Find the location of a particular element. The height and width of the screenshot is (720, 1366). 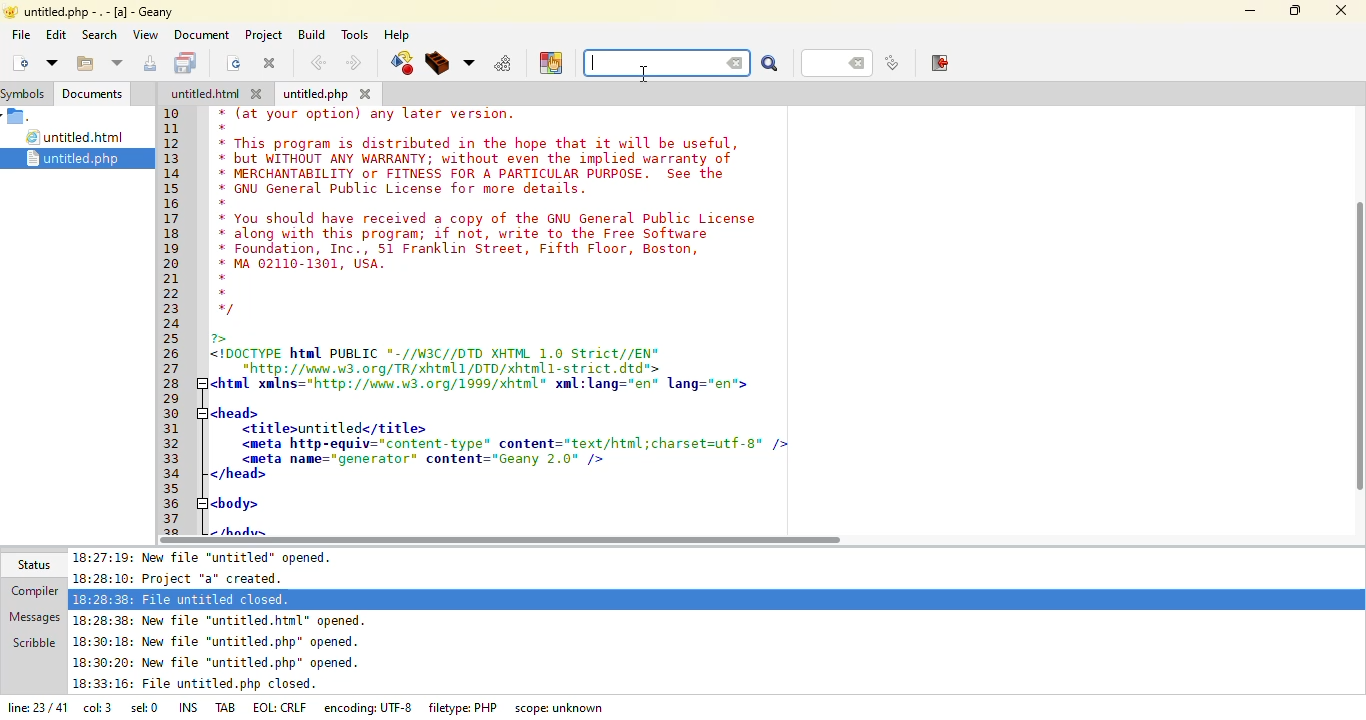

37 is located at coordinates (174, 519).